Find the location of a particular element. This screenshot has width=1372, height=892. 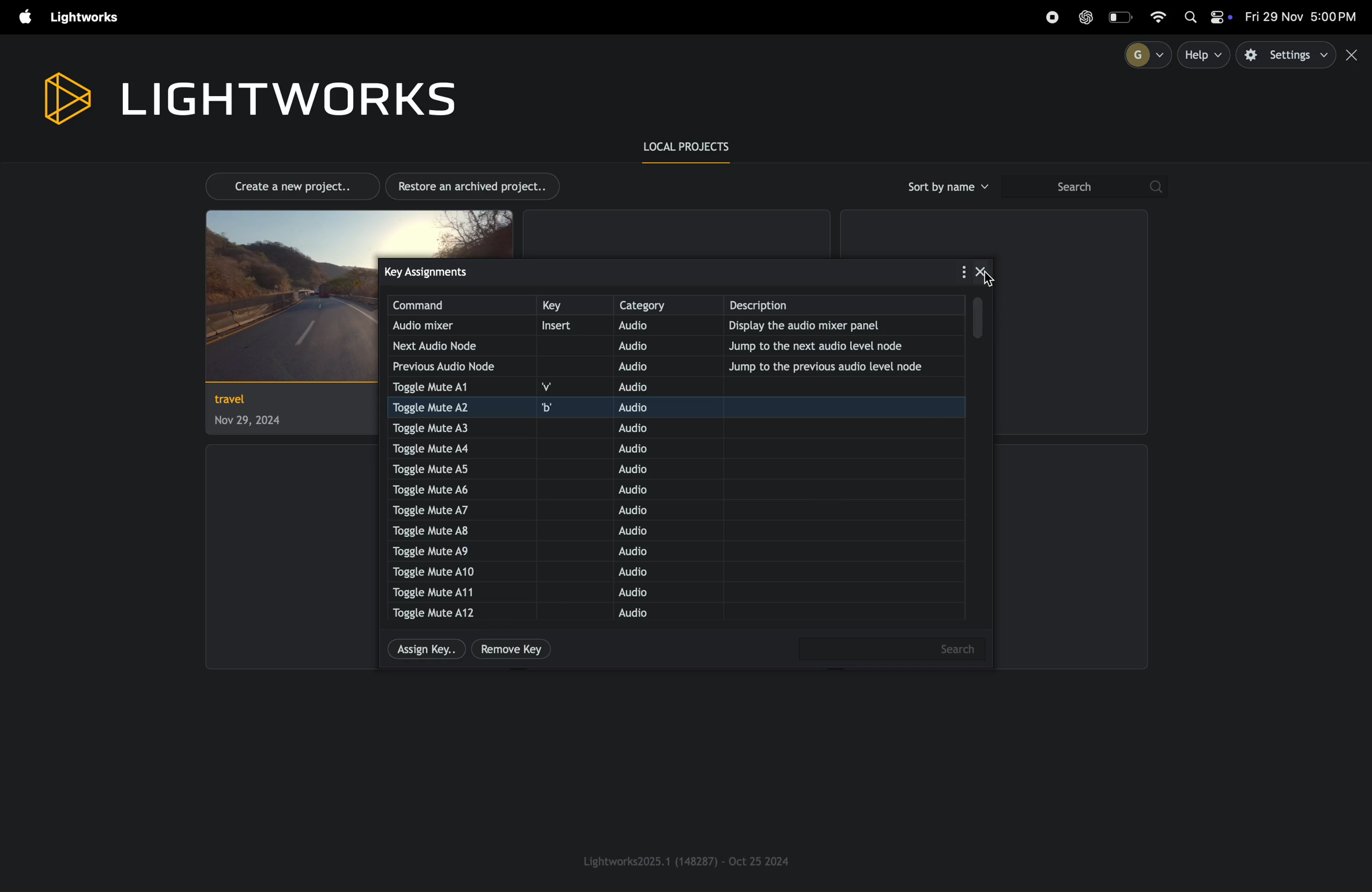

audio is located at coordinates (656, 327).